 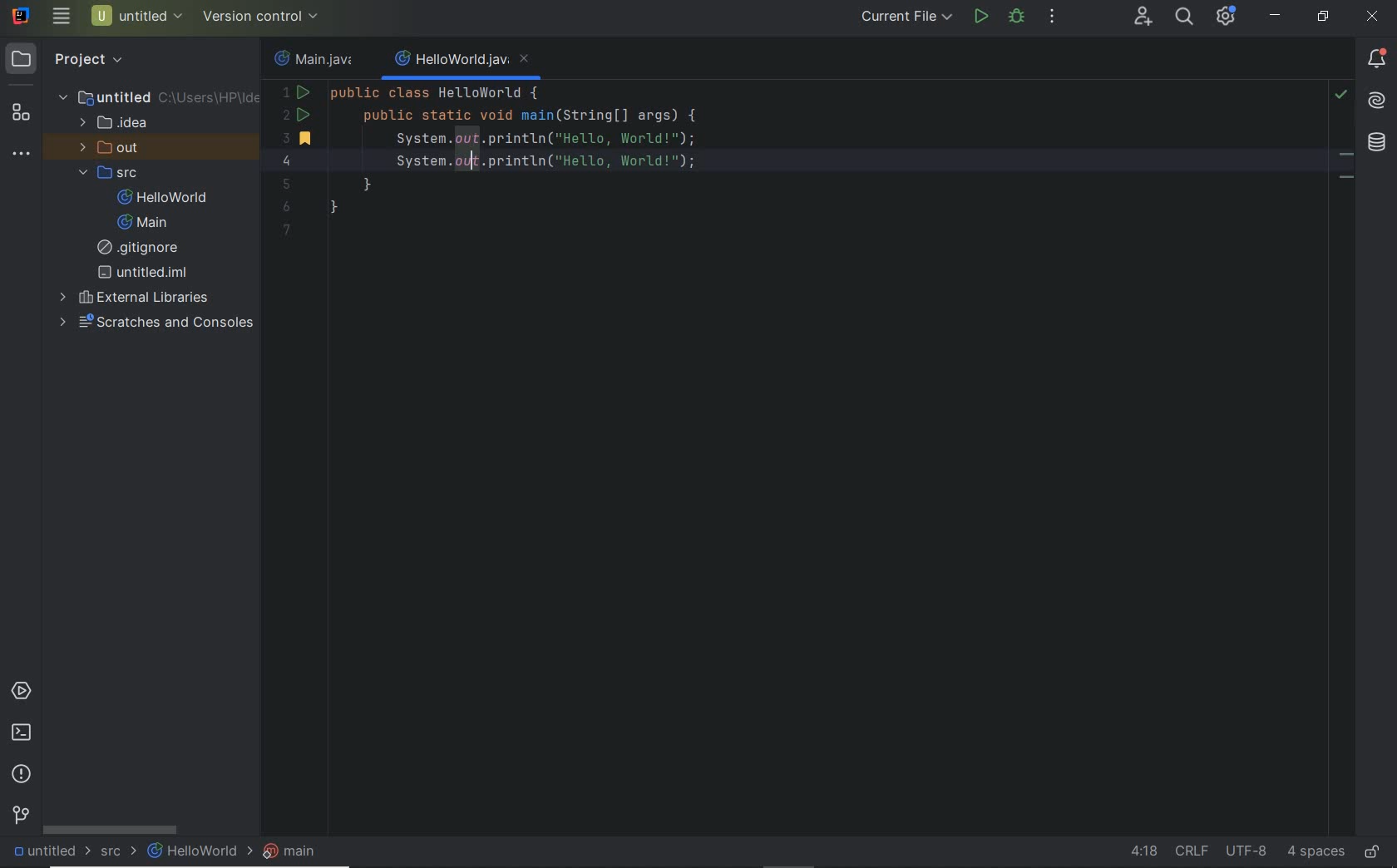 I want to click on scrollbar, so click(x=110, y=827).